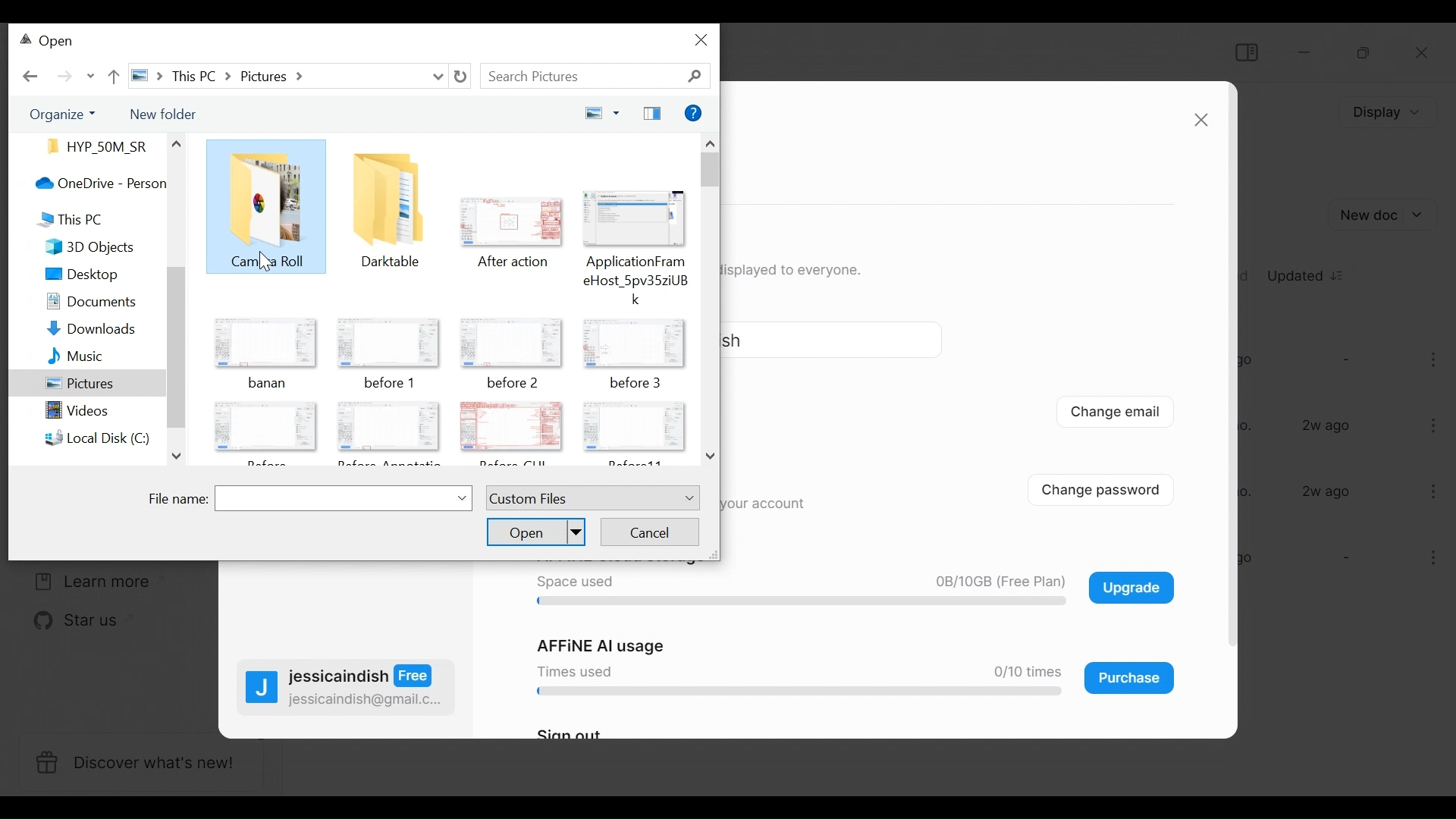  I want to click on more options, so click(1435, 424).